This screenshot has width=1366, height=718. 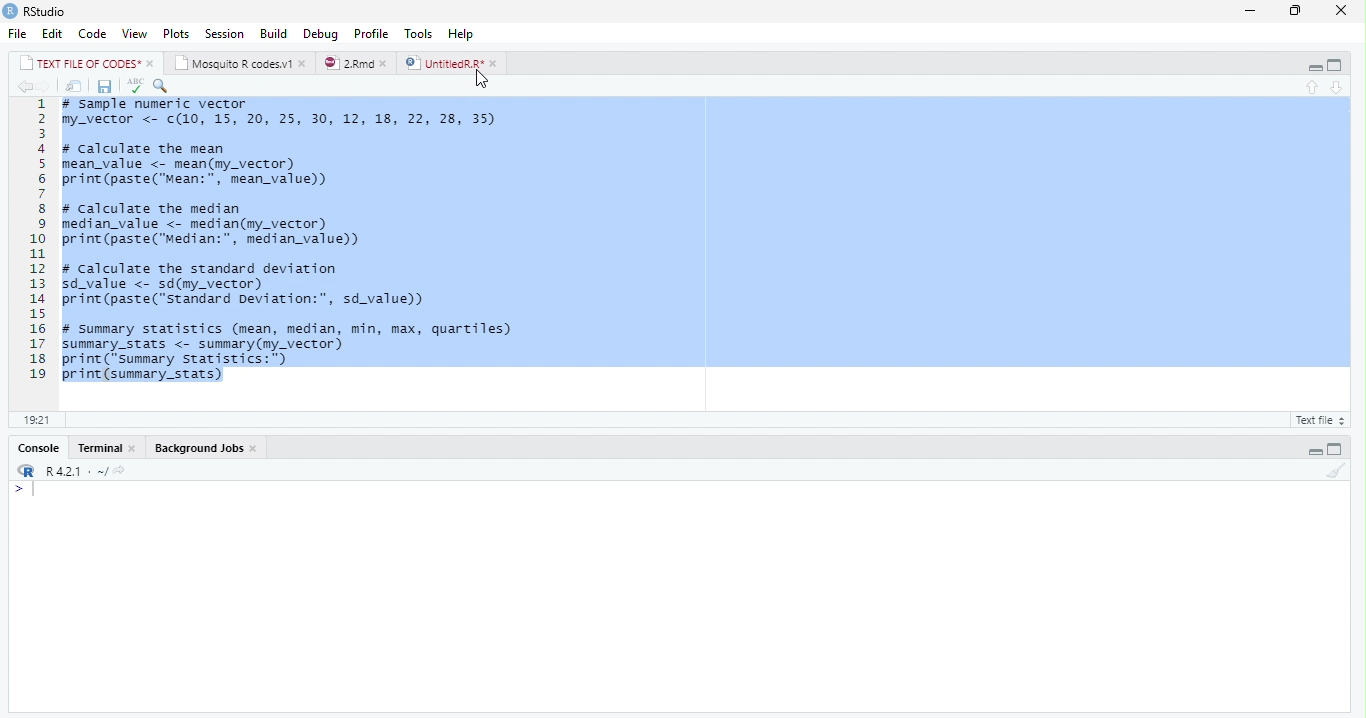 I want to click on spelling check, so click(x=135, y=86).